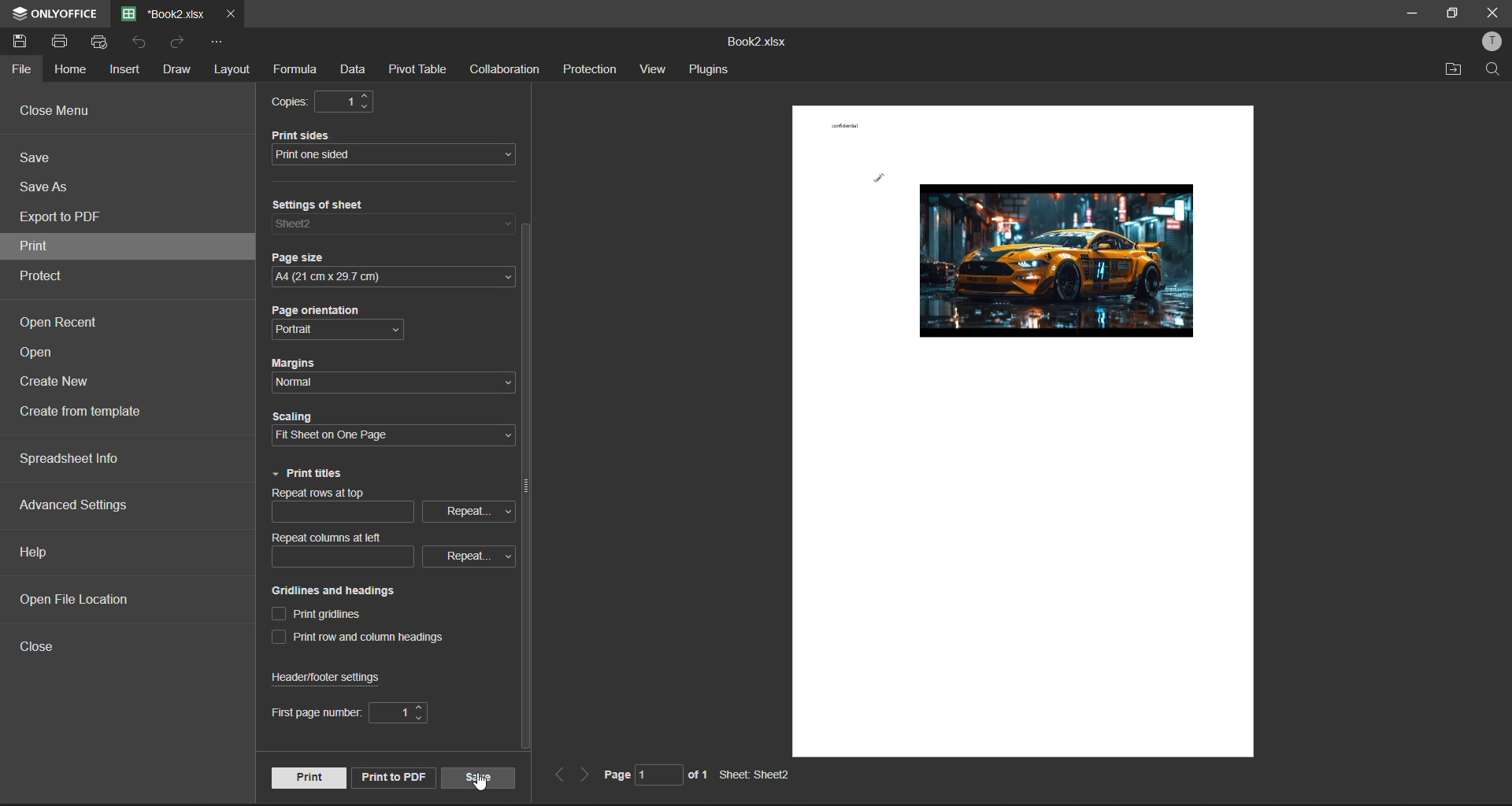 The width and height of the screenshot is (1512, 806). Describe the element at coordinates (176, 68) in the screenshot. I see `draw` at that location.